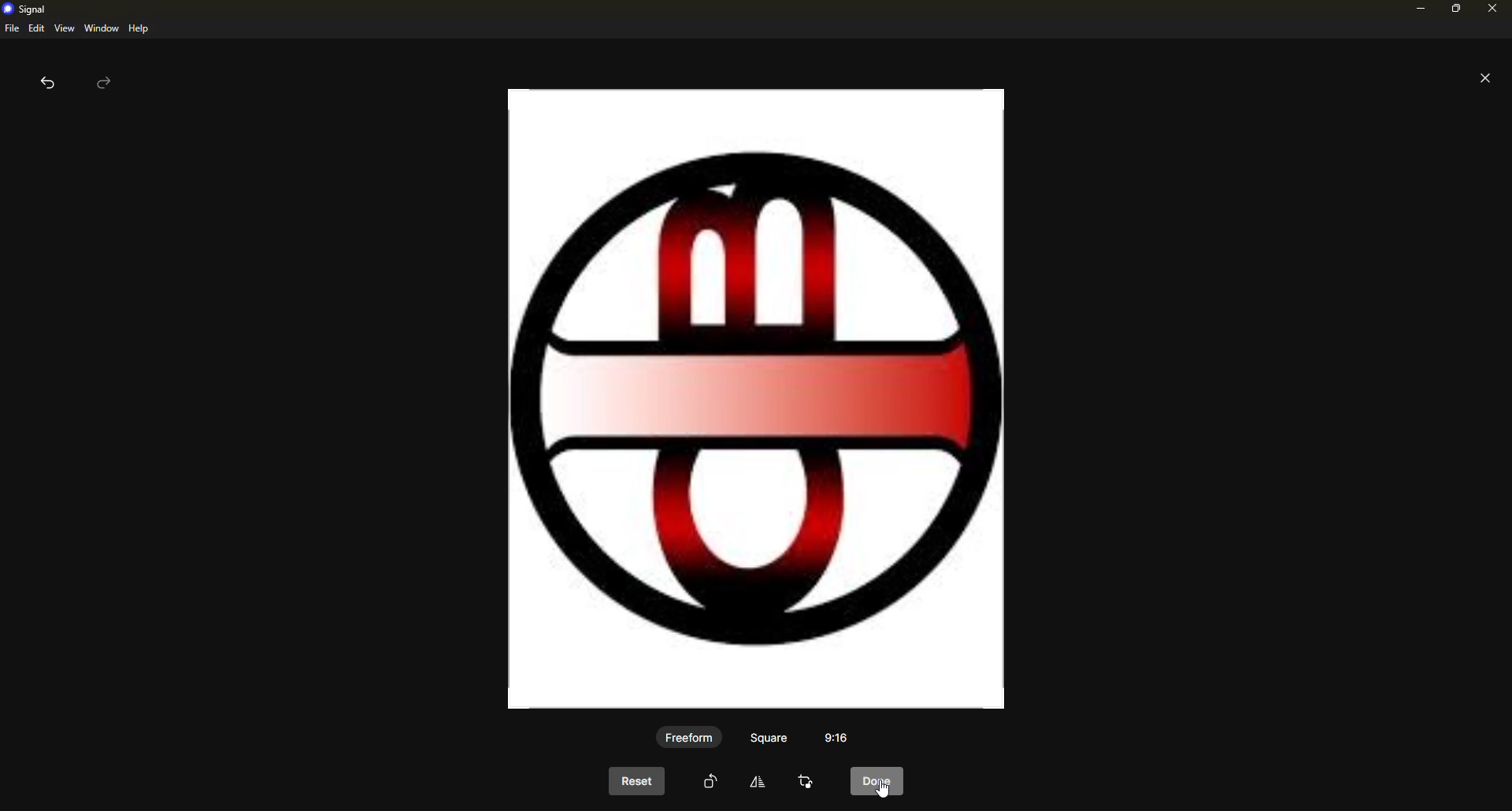  What do you see at coordinates (876, 780) in the screenshot?
I see `cursor on done` at bounding box center [876, 780].